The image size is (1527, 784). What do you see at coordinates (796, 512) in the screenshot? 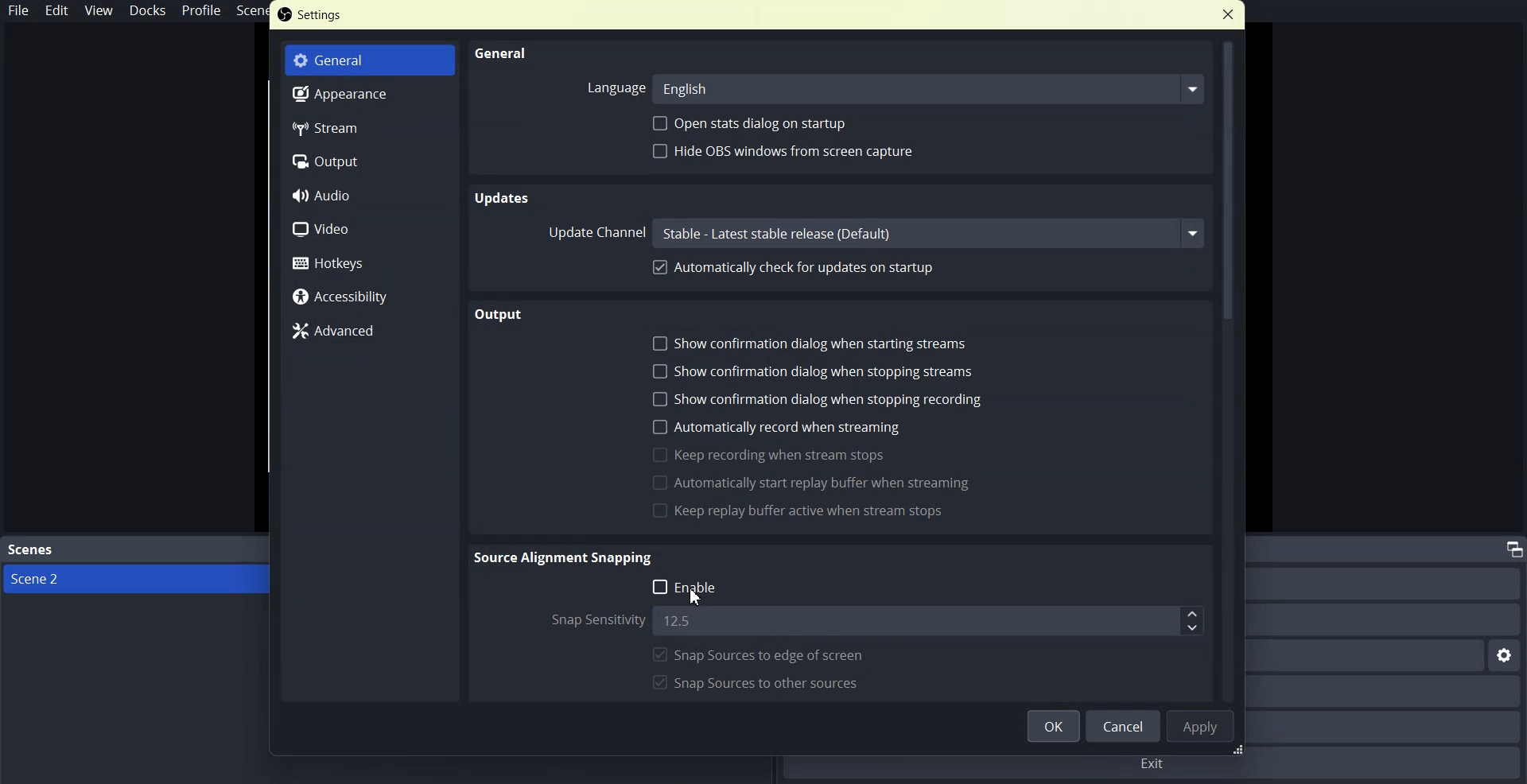
I see `Keep Replay buffer active when stream stops` at bounding box center [796, 512].